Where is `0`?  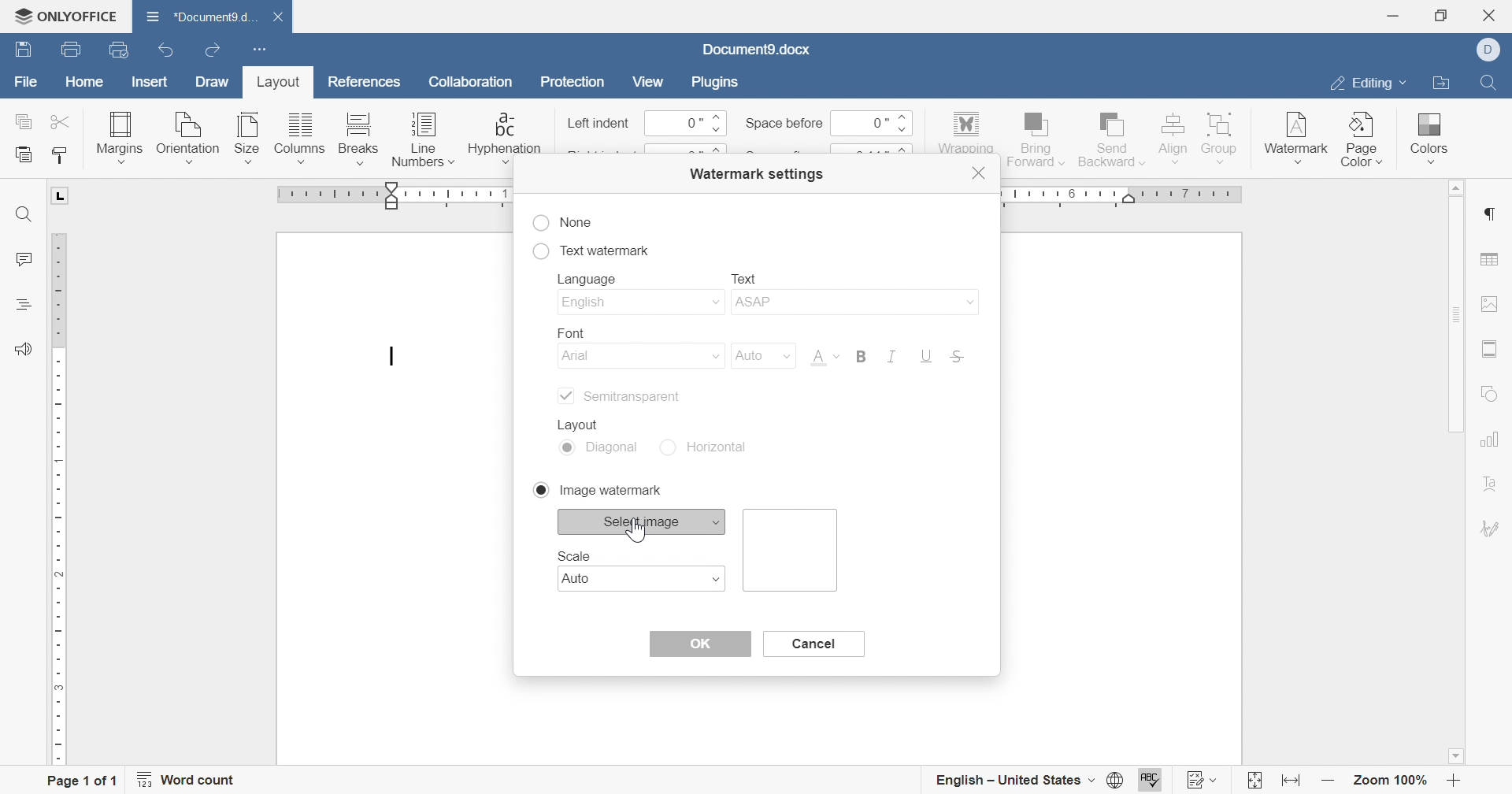 0 is located at coordinates (869, 122).